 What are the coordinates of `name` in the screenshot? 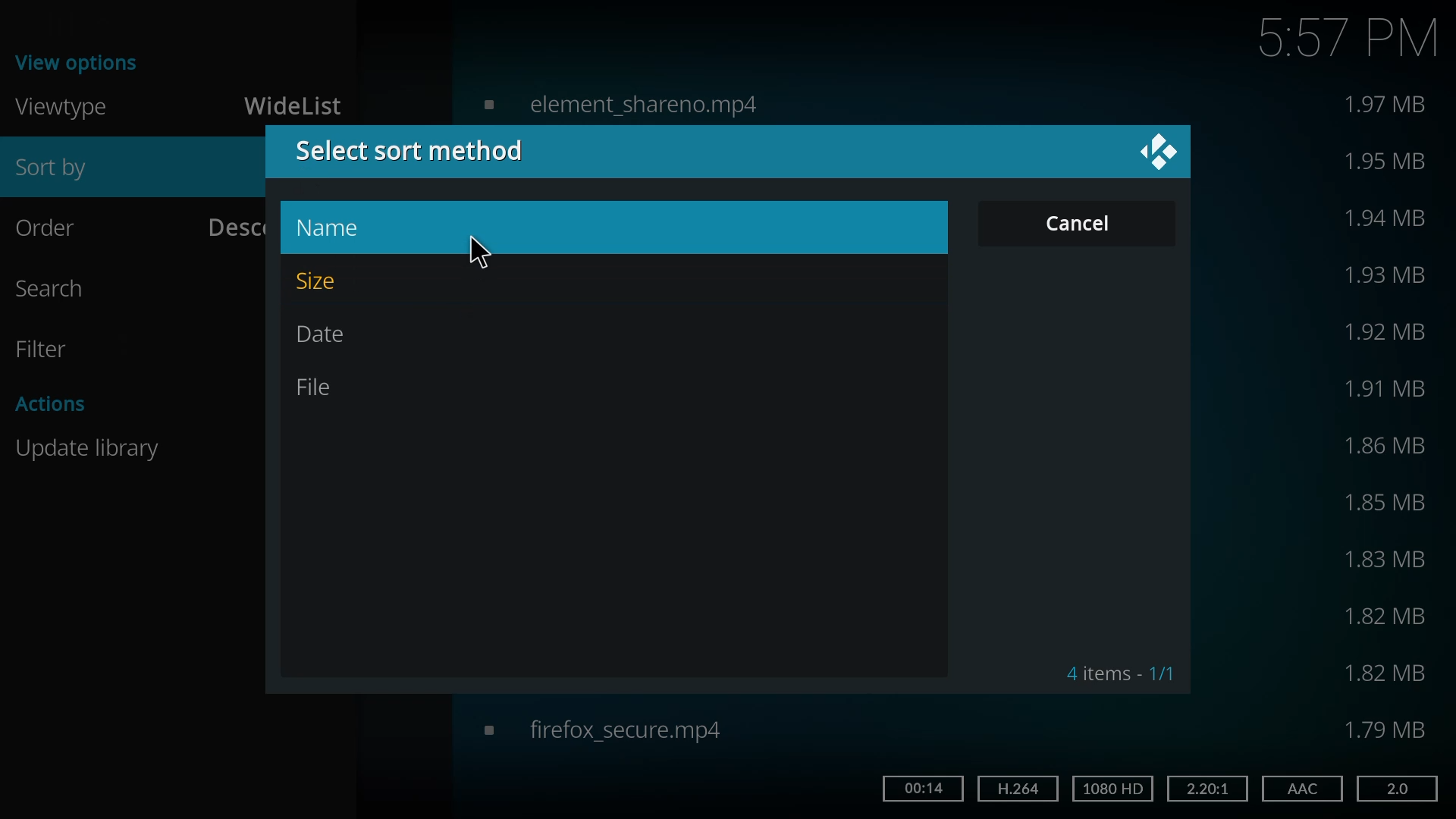 It's located at (343, 228).